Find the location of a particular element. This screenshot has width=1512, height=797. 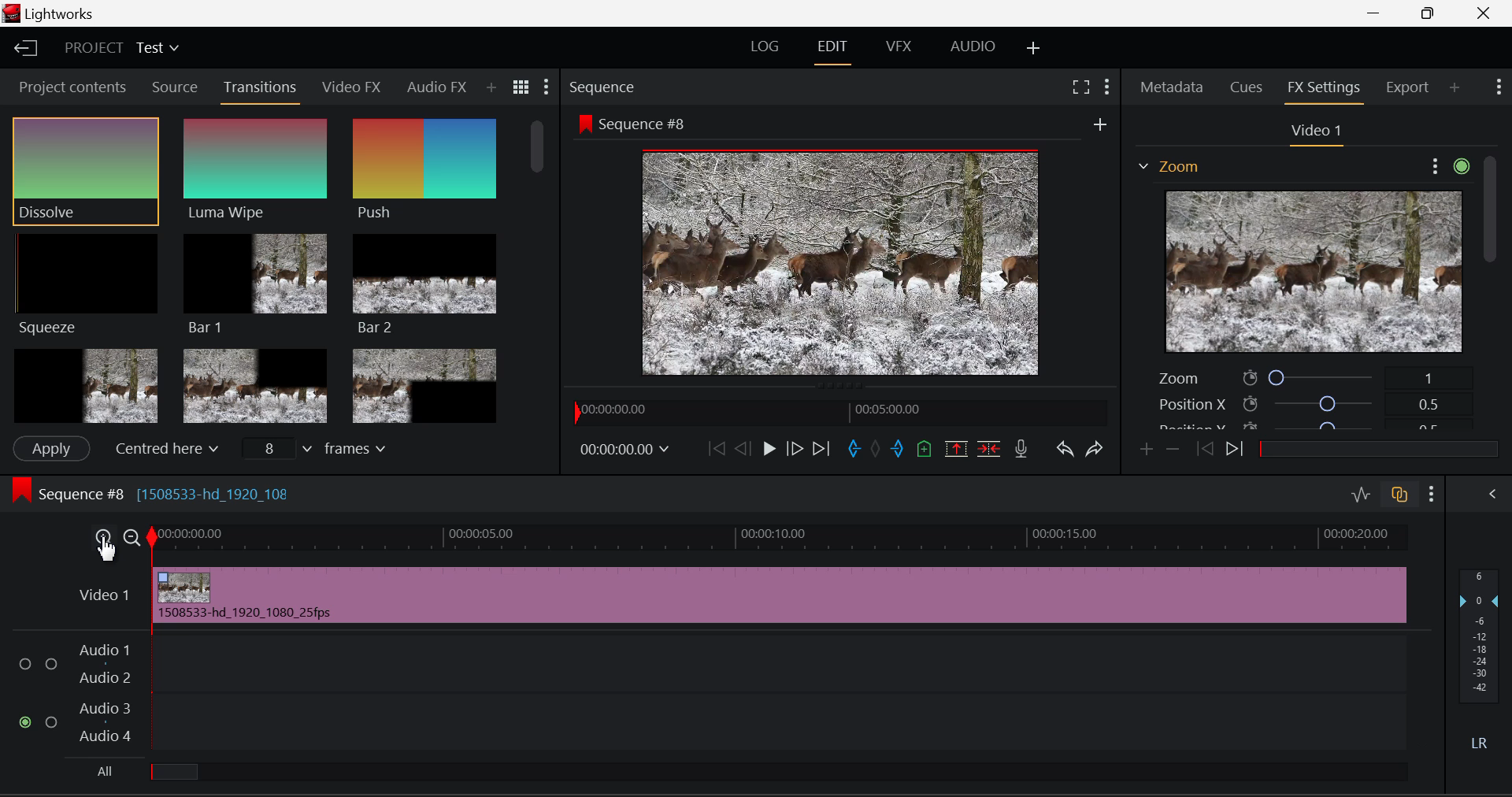

Add Layout is located at coordinates (1036, 50).